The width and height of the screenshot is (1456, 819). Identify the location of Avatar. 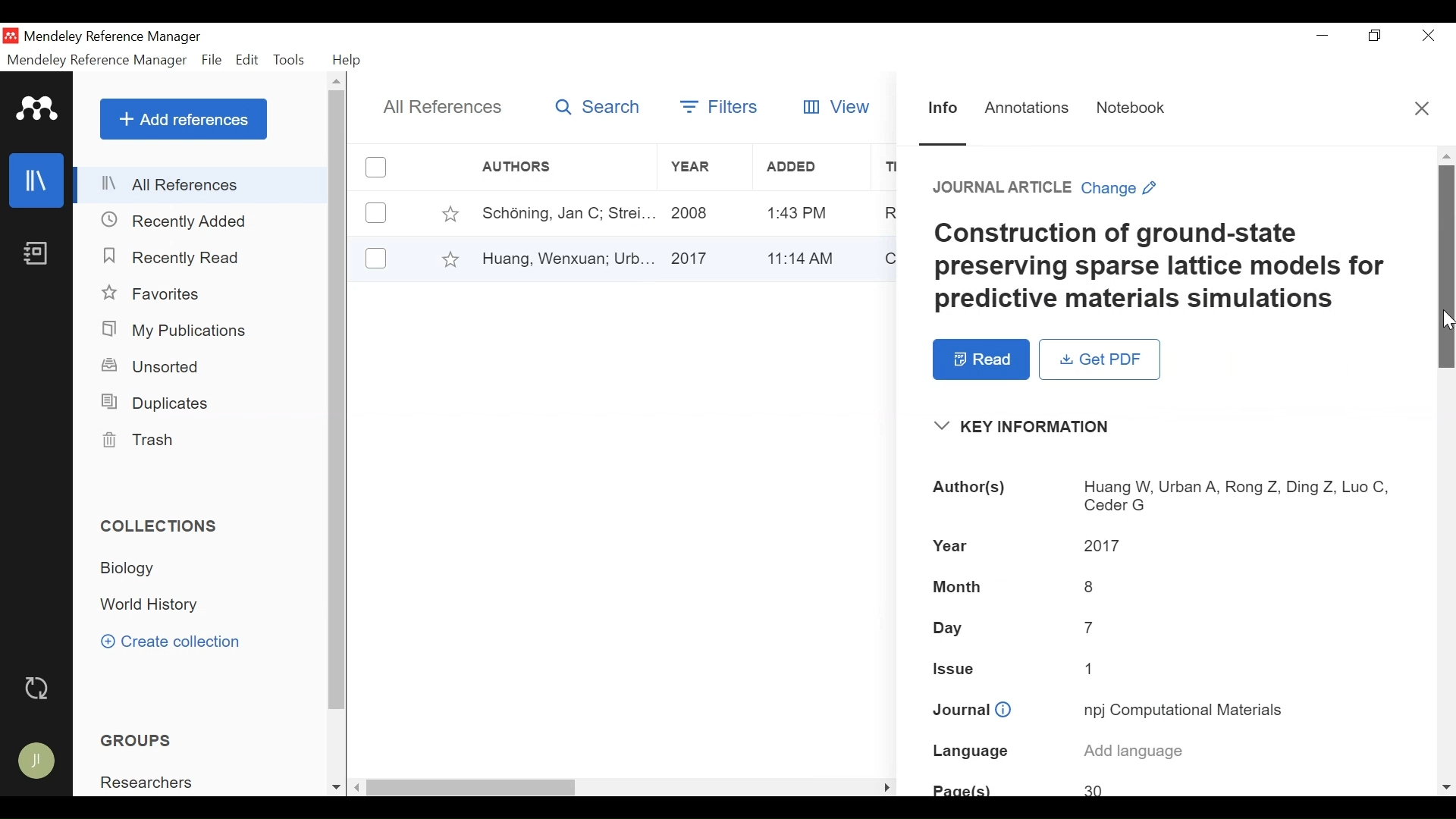
(37, 761).